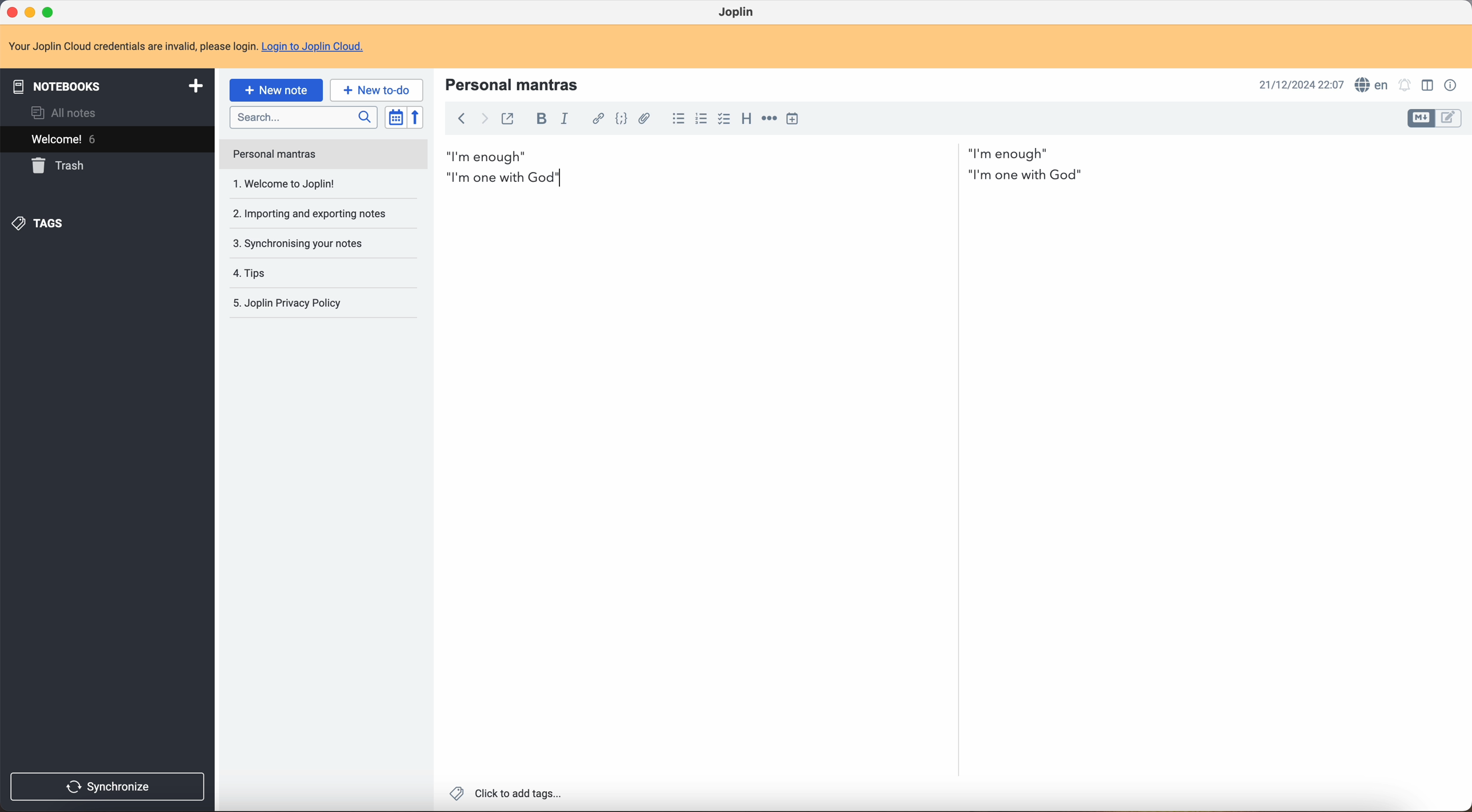  Describe the element at coordinates (649, 119) in the screenshot. I see `attach file` at that location.